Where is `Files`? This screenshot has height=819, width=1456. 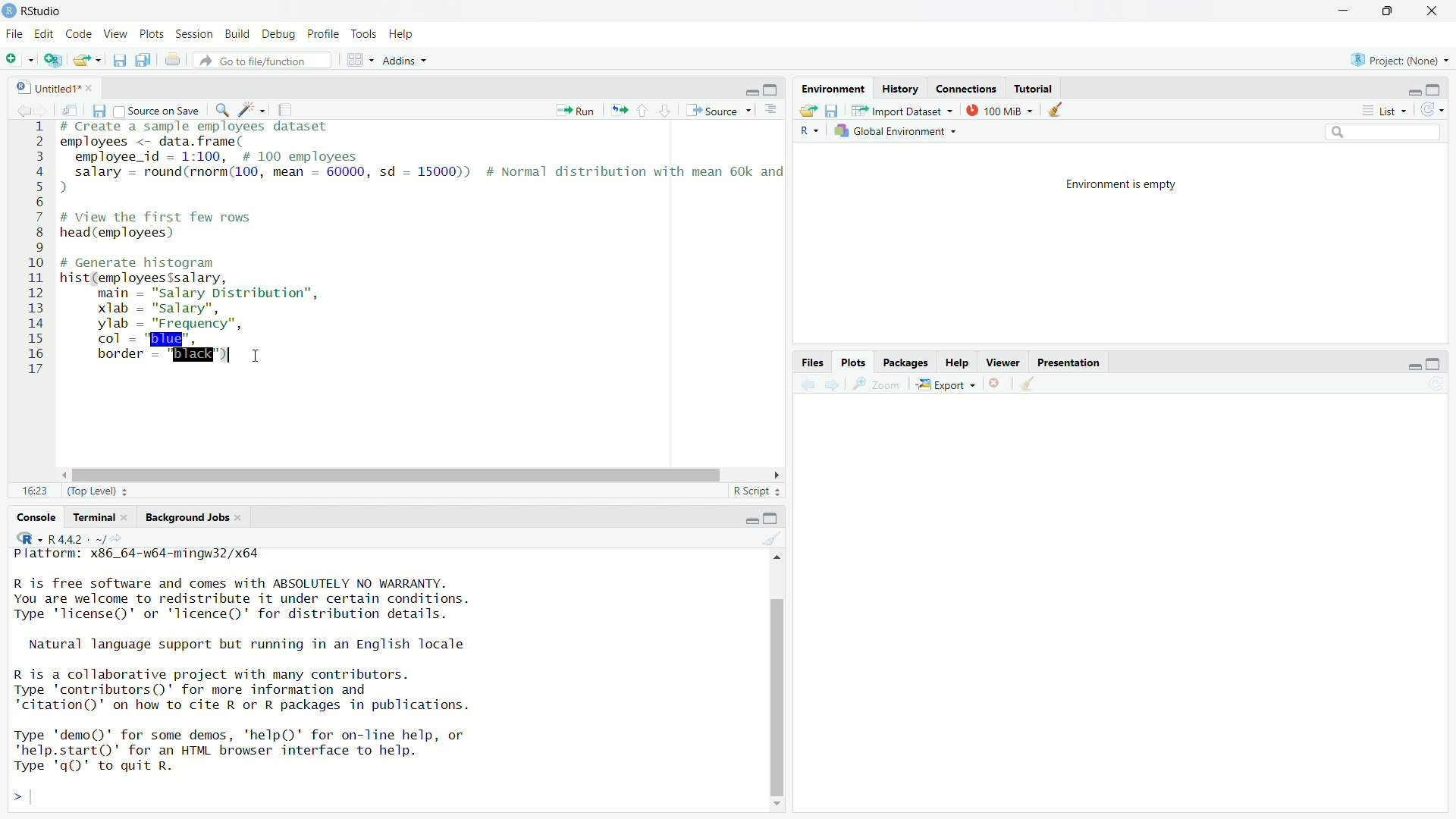 Files is located at coordinates (812, 362).